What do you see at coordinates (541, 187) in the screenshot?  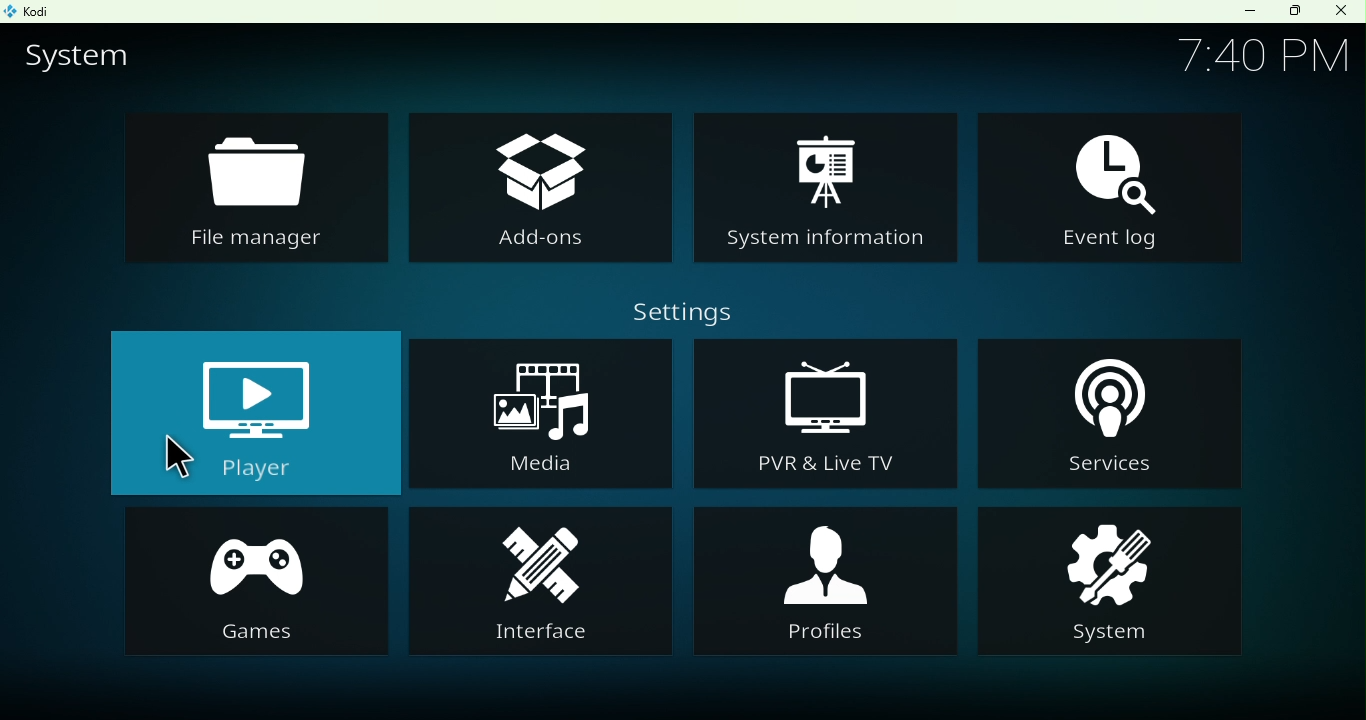 I see `Add-ons` at bounding box center [541, 187].